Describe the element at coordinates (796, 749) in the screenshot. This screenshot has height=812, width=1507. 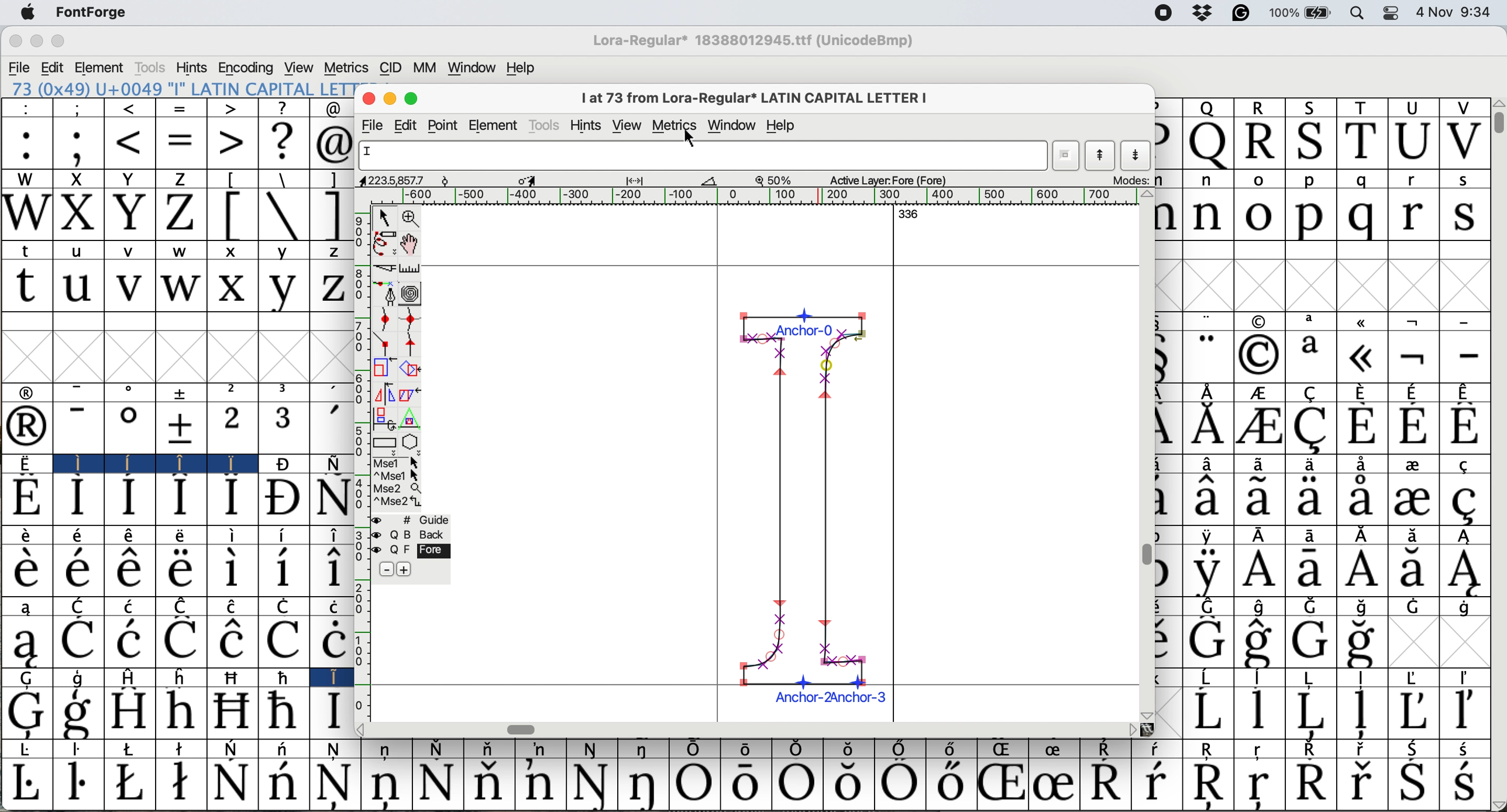
I see `Symbol` at that location.